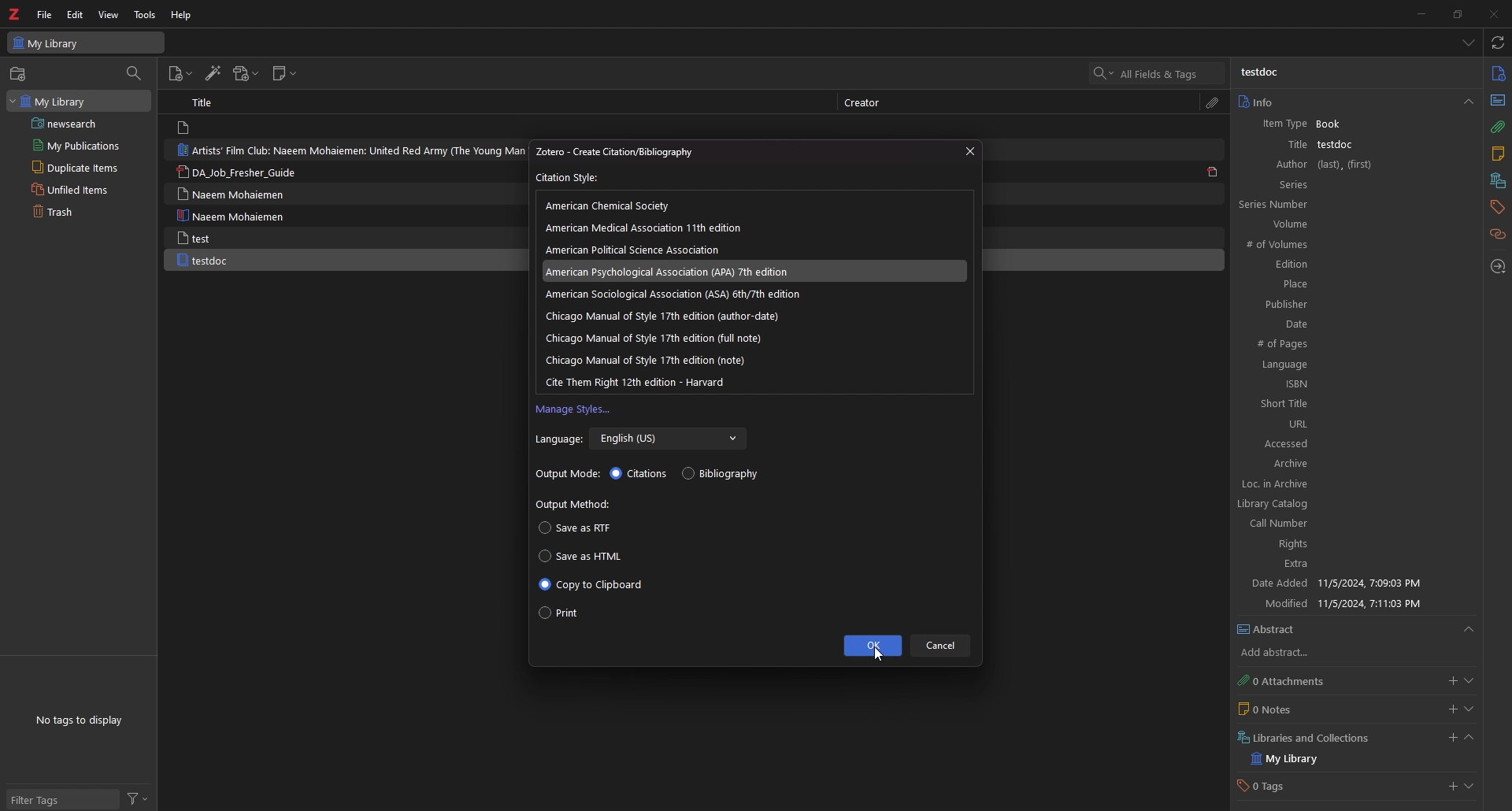 The height and width of the screenshot is (811, 1512). Describe the element at coordinates (1497, 128) in the screenshot. I see `attachment` at that location.